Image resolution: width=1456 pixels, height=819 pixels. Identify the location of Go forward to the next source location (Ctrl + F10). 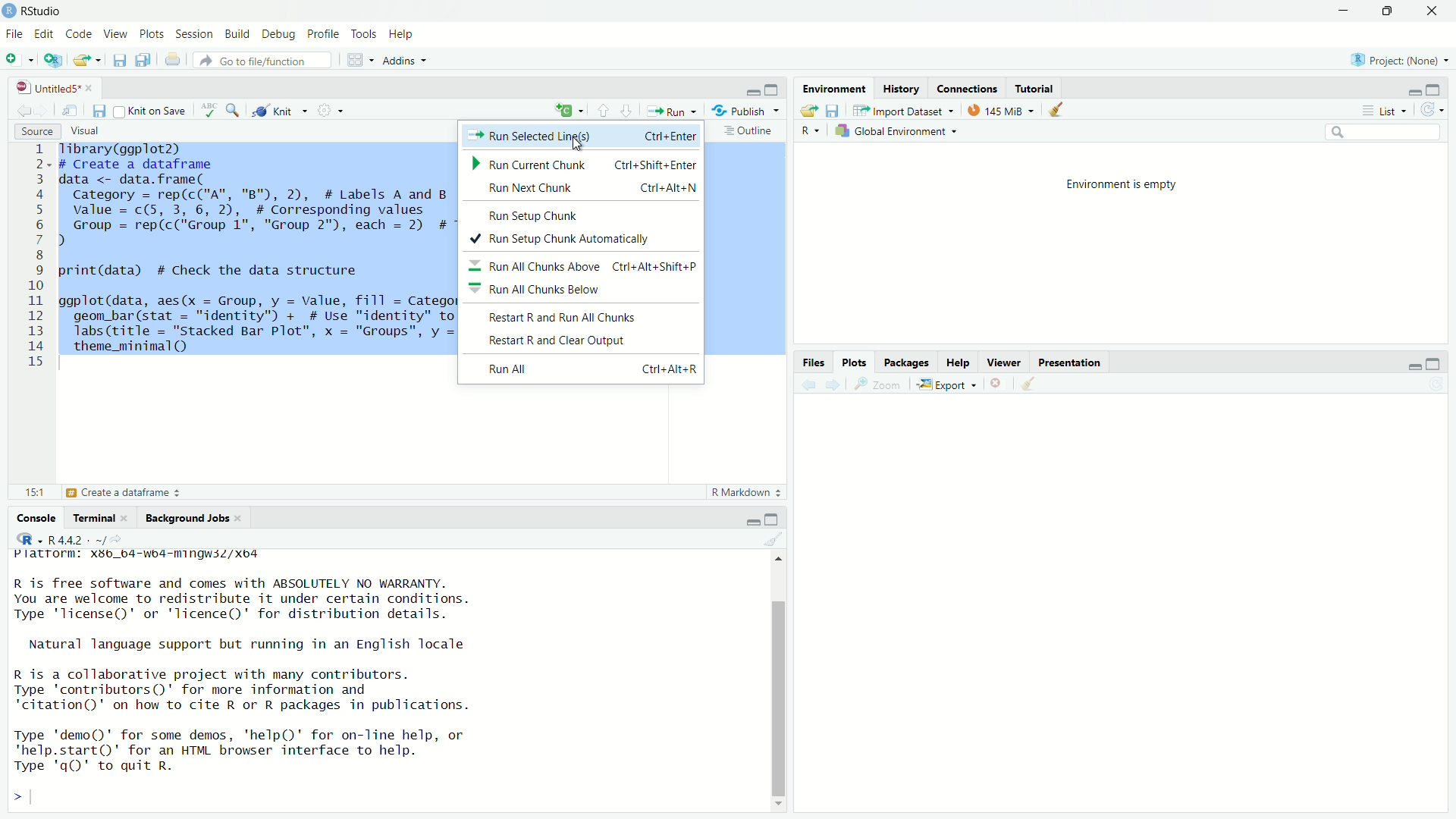
(43, 108).